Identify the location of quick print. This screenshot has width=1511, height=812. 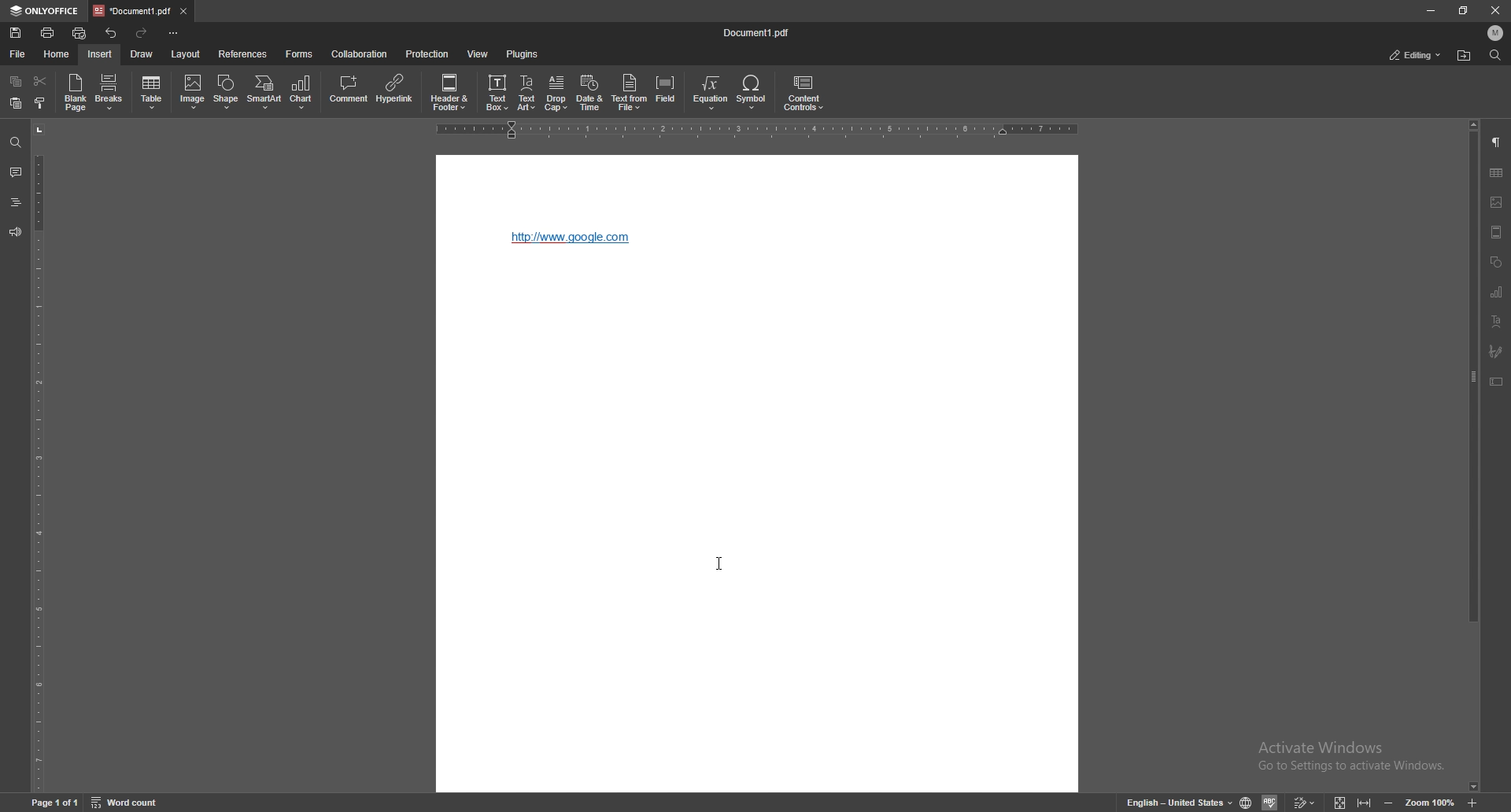
(82, 32).